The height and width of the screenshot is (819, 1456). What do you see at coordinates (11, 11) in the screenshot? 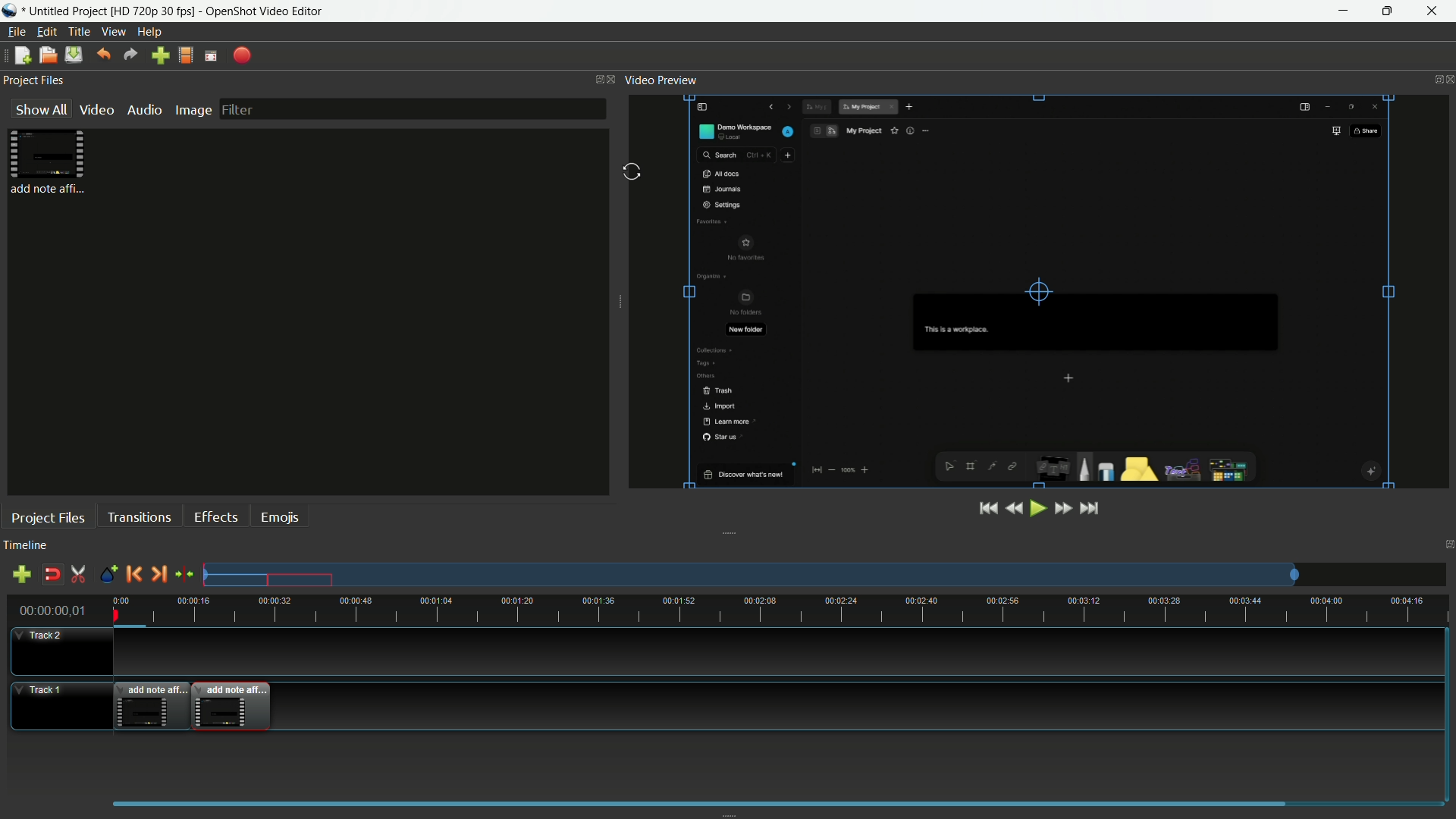
I see `app icon` at bounding box center [11, 11].